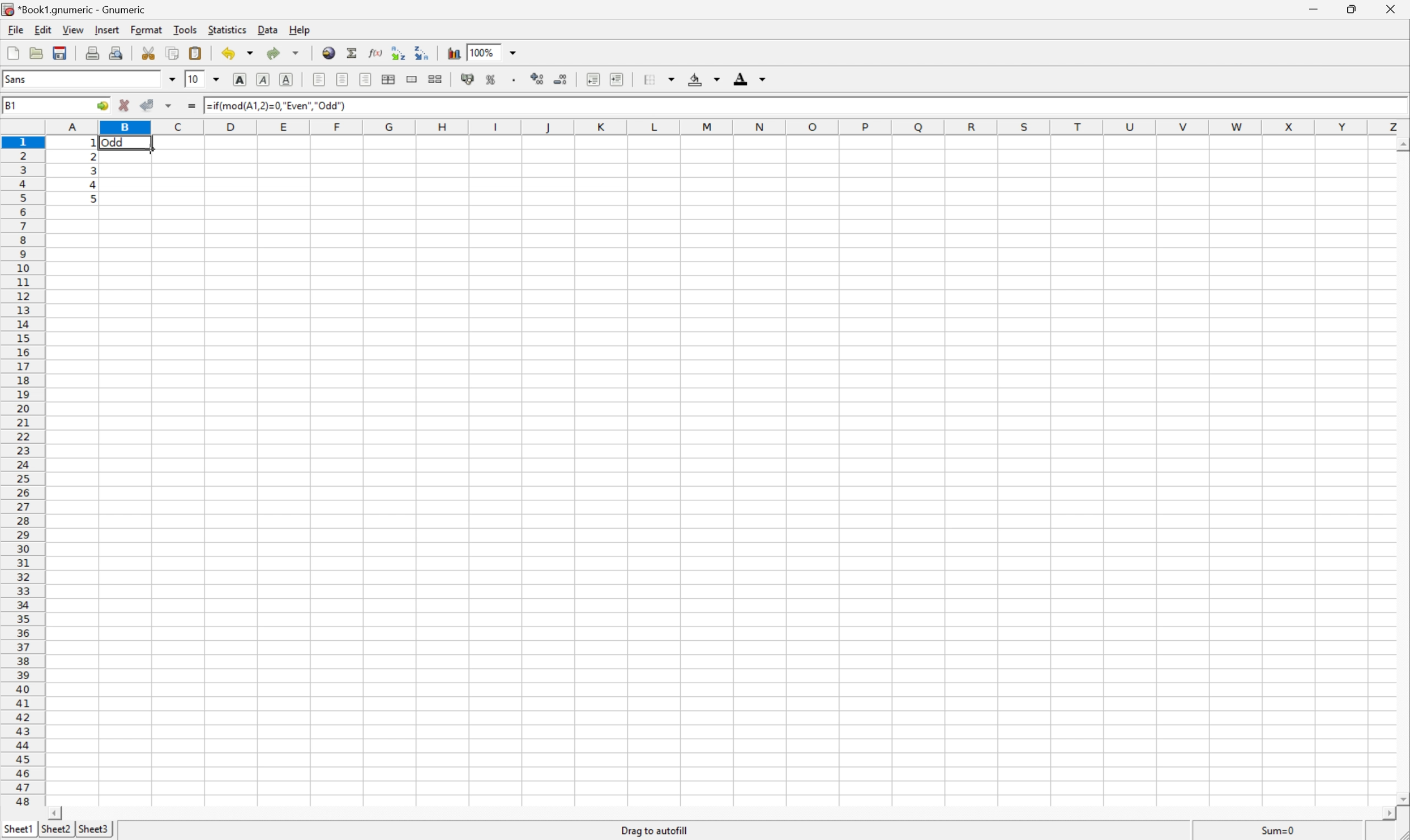 The height and width of the screenshot is (840, 1410). Describe the element at coordinates (1400, 796) in the screenshot. I see `Scroll Down` at that location.